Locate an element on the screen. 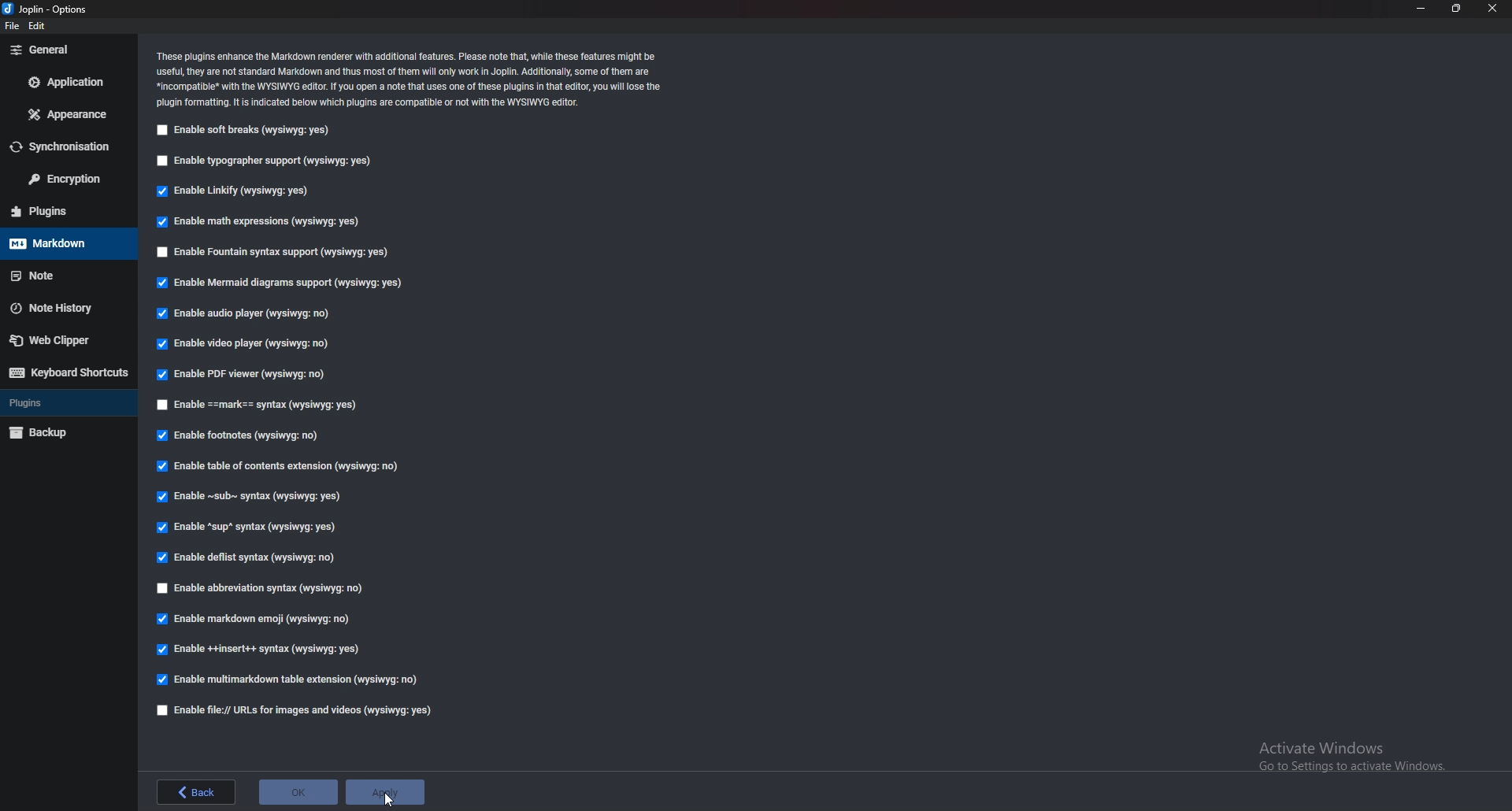  options is located at coordinates (50, 9).